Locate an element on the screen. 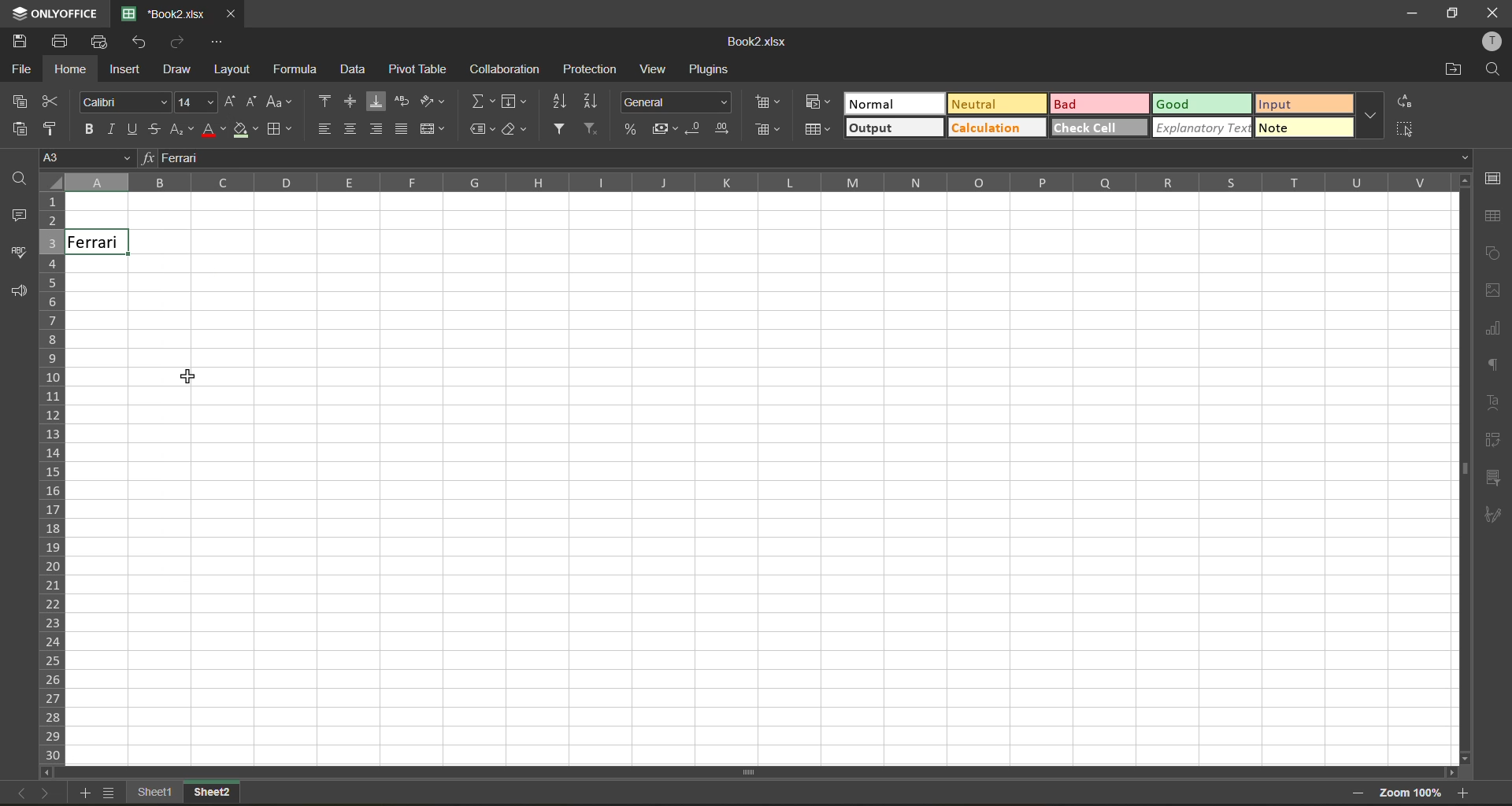 Image resolution: width=1512 pixels, height=806 pixels. more options is located at coordinates (1370, 113).